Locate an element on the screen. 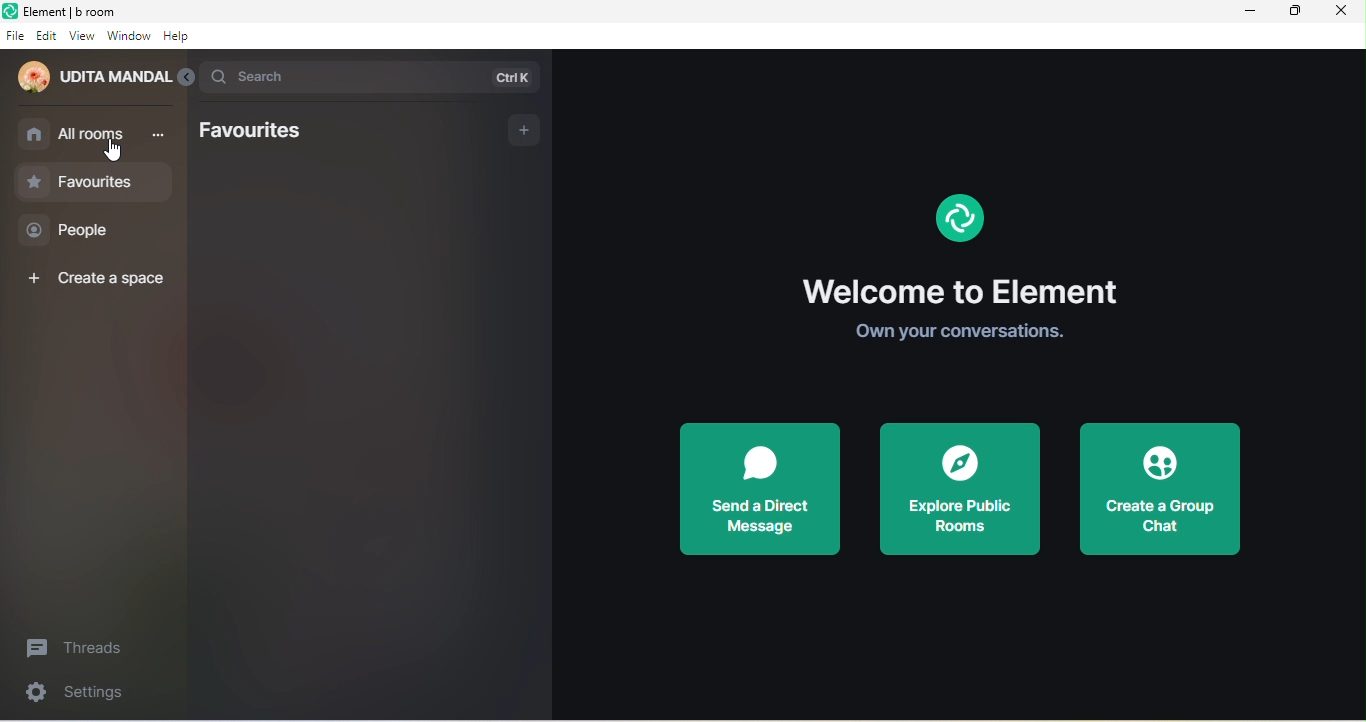  welcome to element is located at coordinates (979, 289).